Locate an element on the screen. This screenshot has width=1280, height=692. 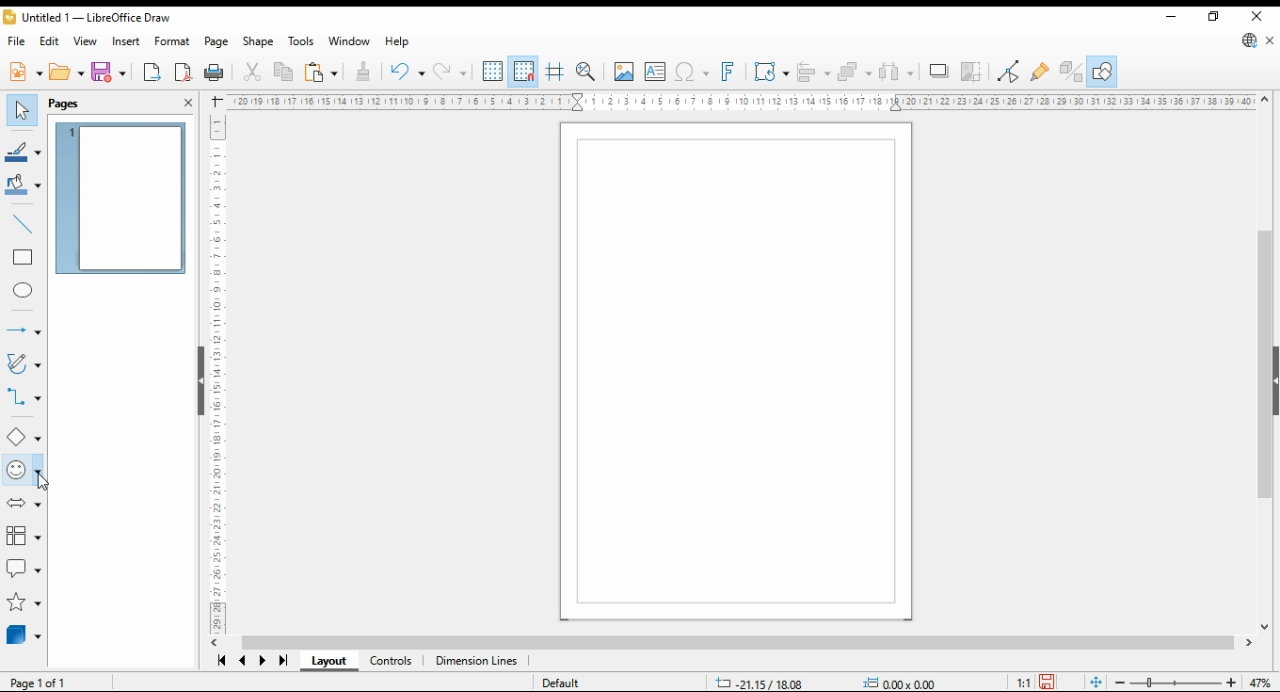
copy is located at coordinates (283, 73).